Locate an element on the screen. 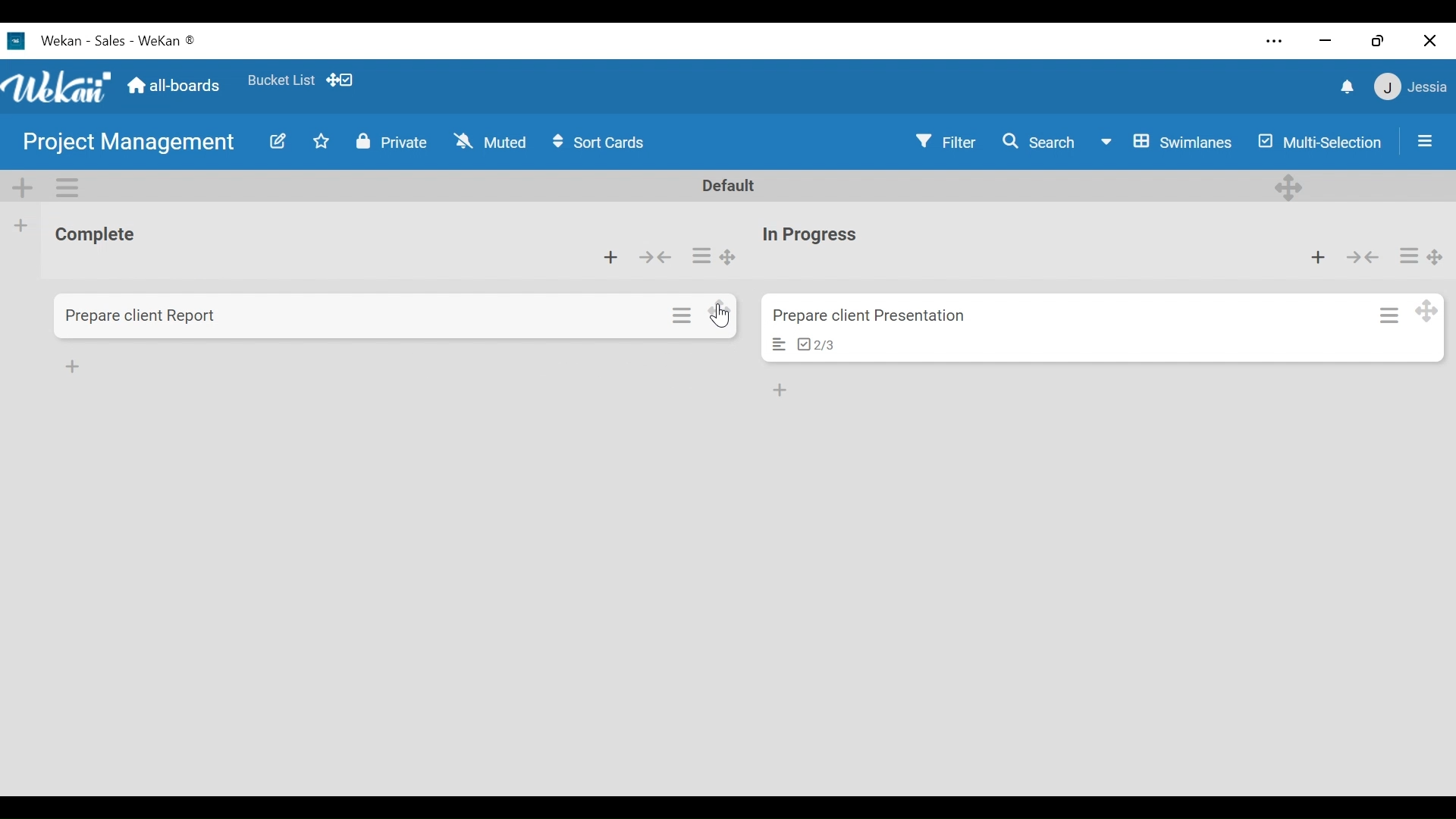 This screenshot has width=1456, height=819. Sidebar is located at coordinates (1423, 136).